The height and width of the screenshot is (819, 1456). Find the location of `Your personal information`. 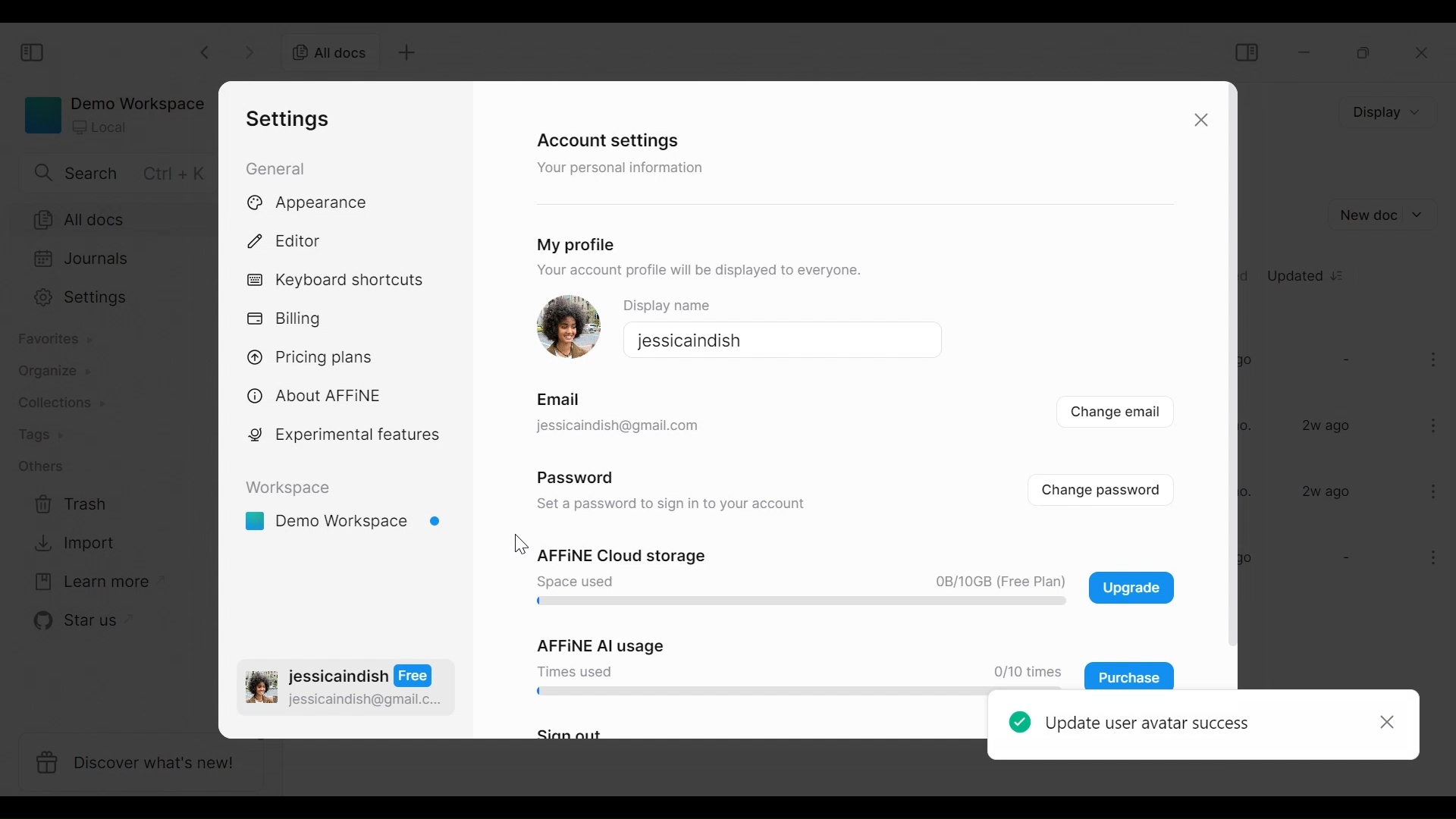

Your personal information is located at coordinates (625, 170).